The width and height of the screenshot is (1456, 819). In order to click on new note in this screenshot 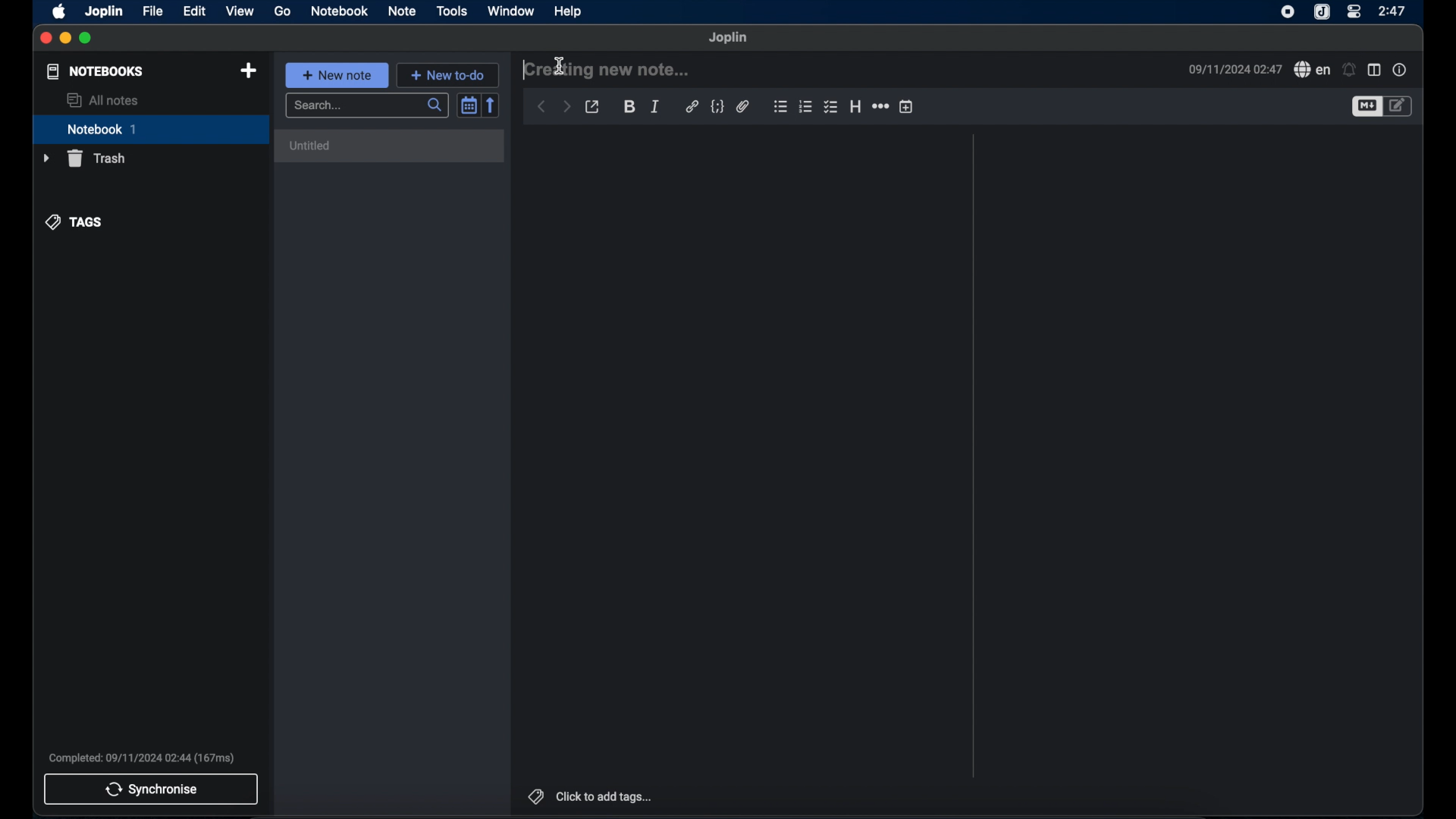, I will do `click(337, 75)`.